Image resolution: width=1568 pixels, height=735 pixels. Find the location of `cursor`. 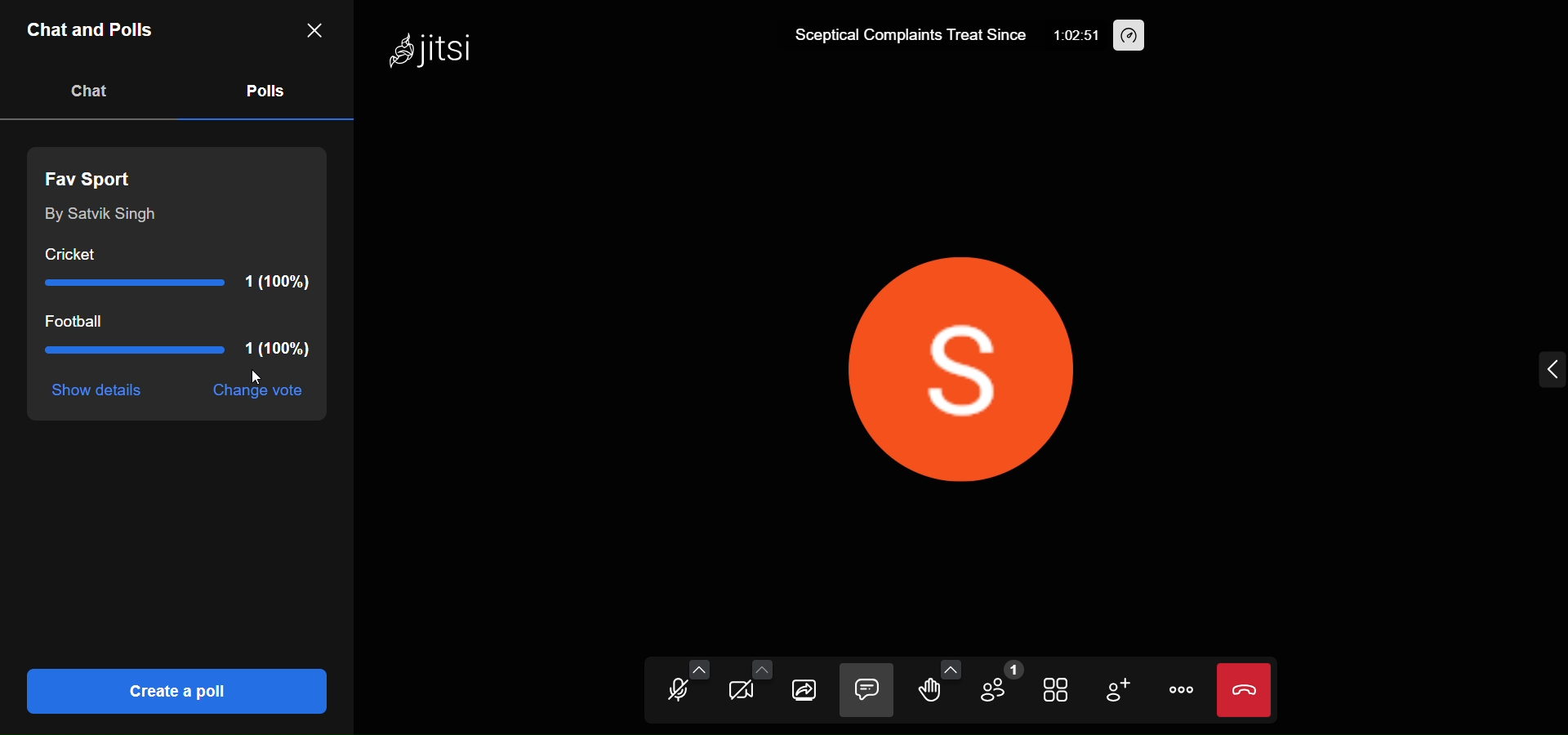

cursor is located at coordinates (259, 378).